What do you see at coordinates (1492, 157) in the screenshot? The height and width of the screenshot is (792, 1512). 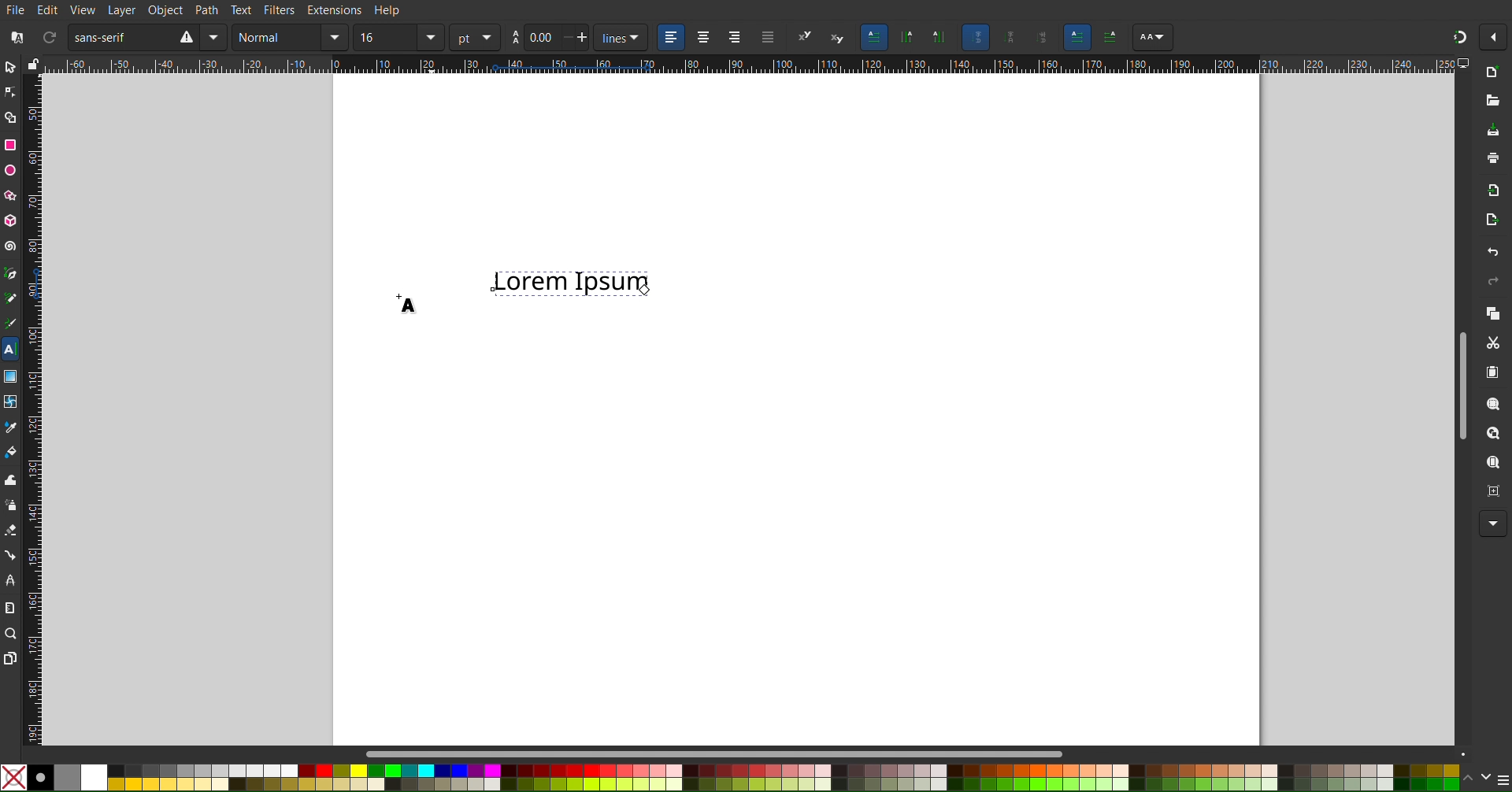 I see `Print` at bounding box center [1492, 157].